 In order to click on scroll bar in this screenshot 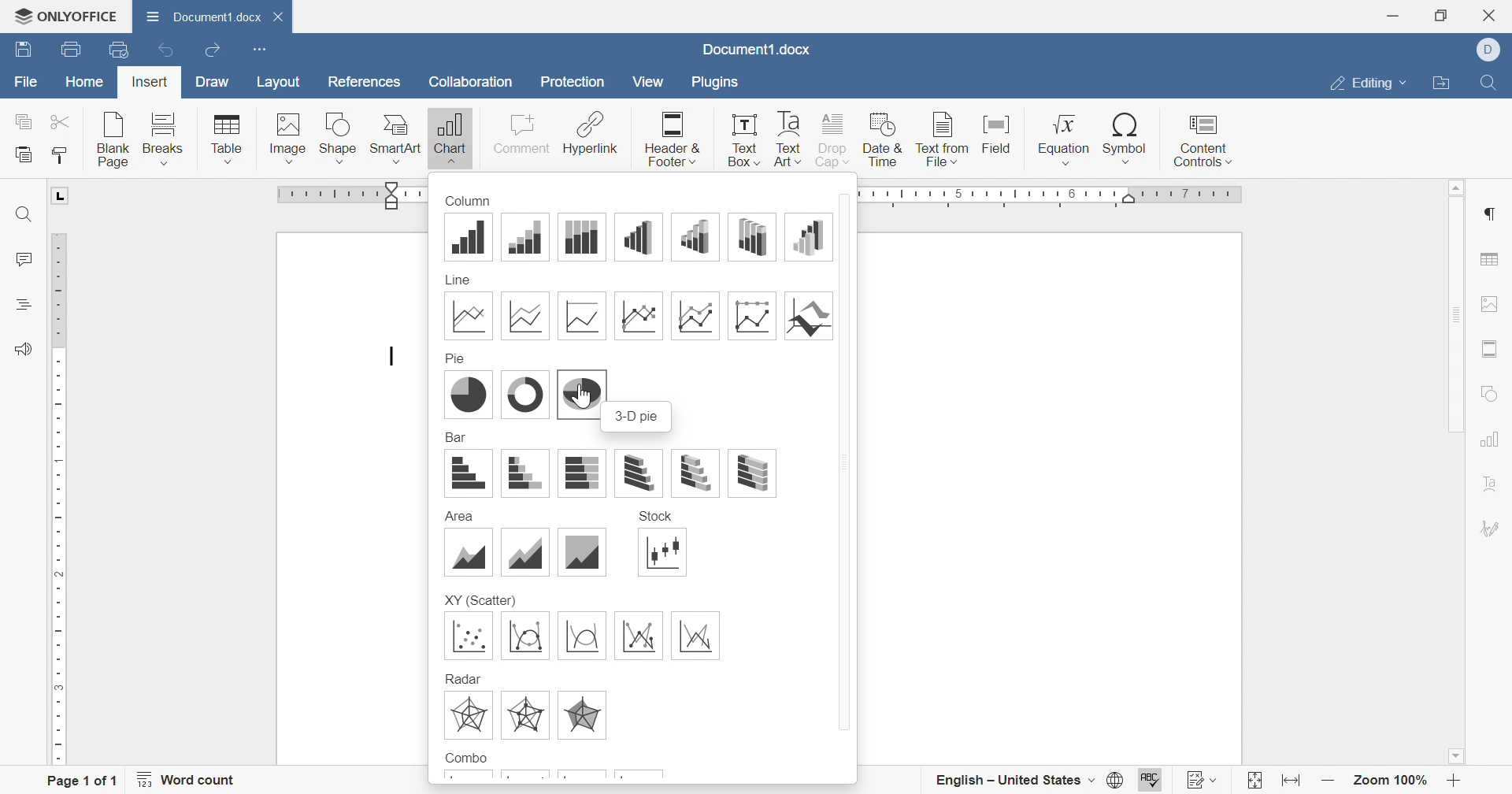, I will do `click(847, 460)`.